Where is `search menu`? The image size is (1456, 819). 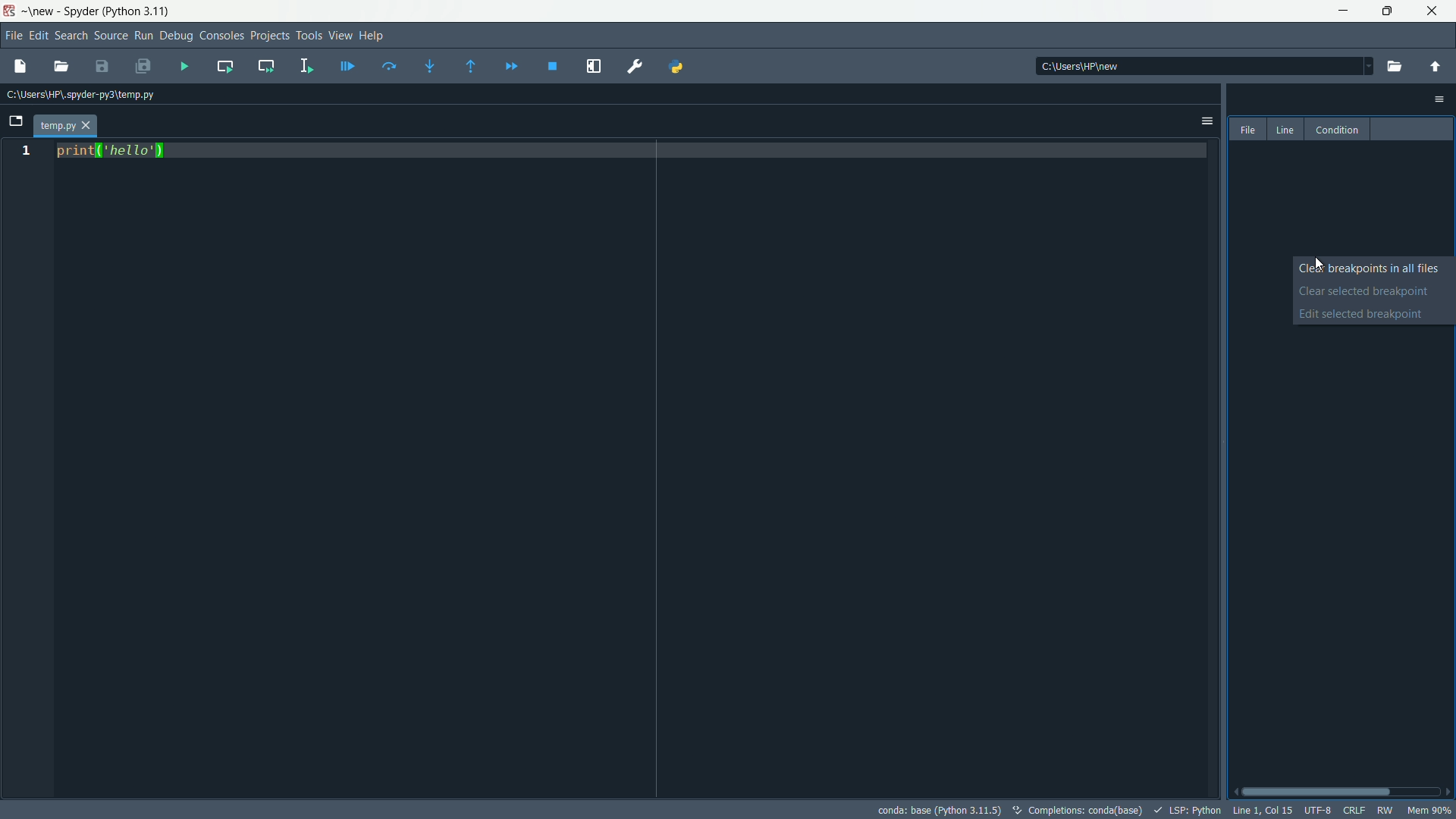
search menu is located at coordinates (71, 36).